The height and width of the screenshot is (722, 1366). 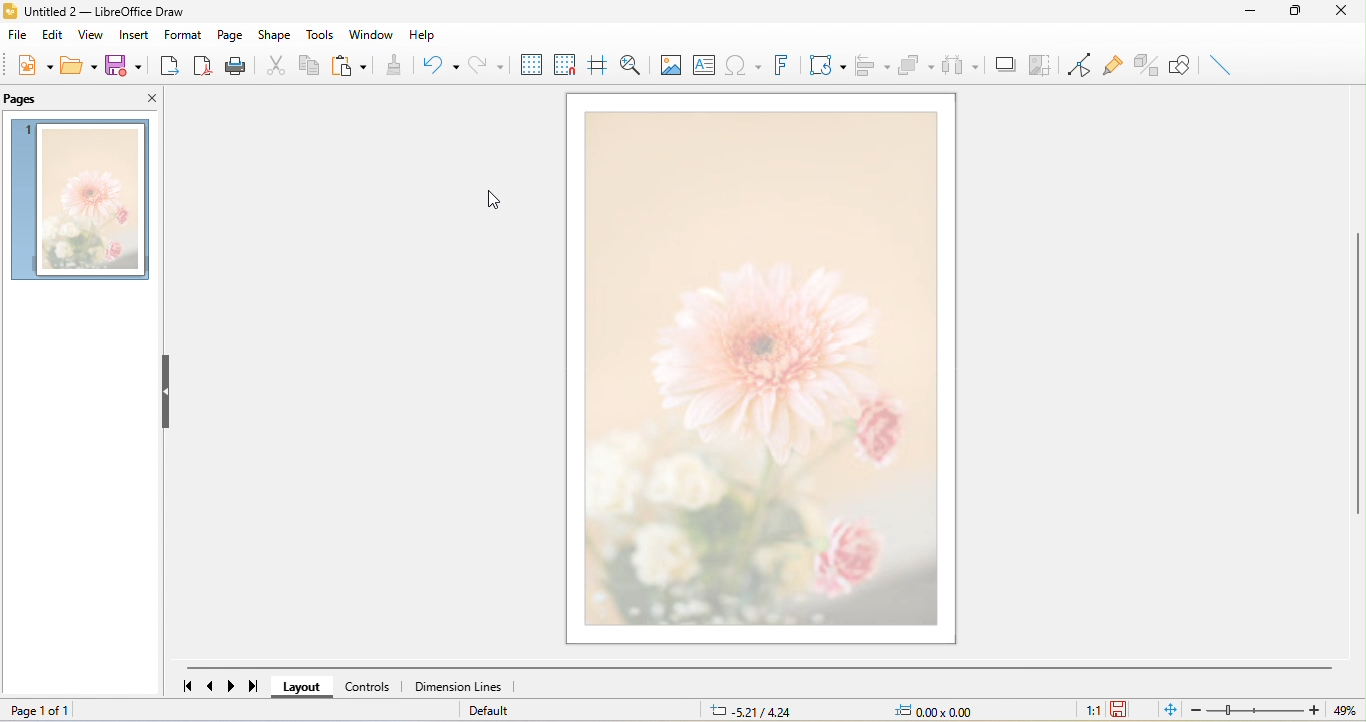 What do you see at coordinates (631, 65) in the screenshot?
I see `zoom and pan` at bounding box center [631, 65].